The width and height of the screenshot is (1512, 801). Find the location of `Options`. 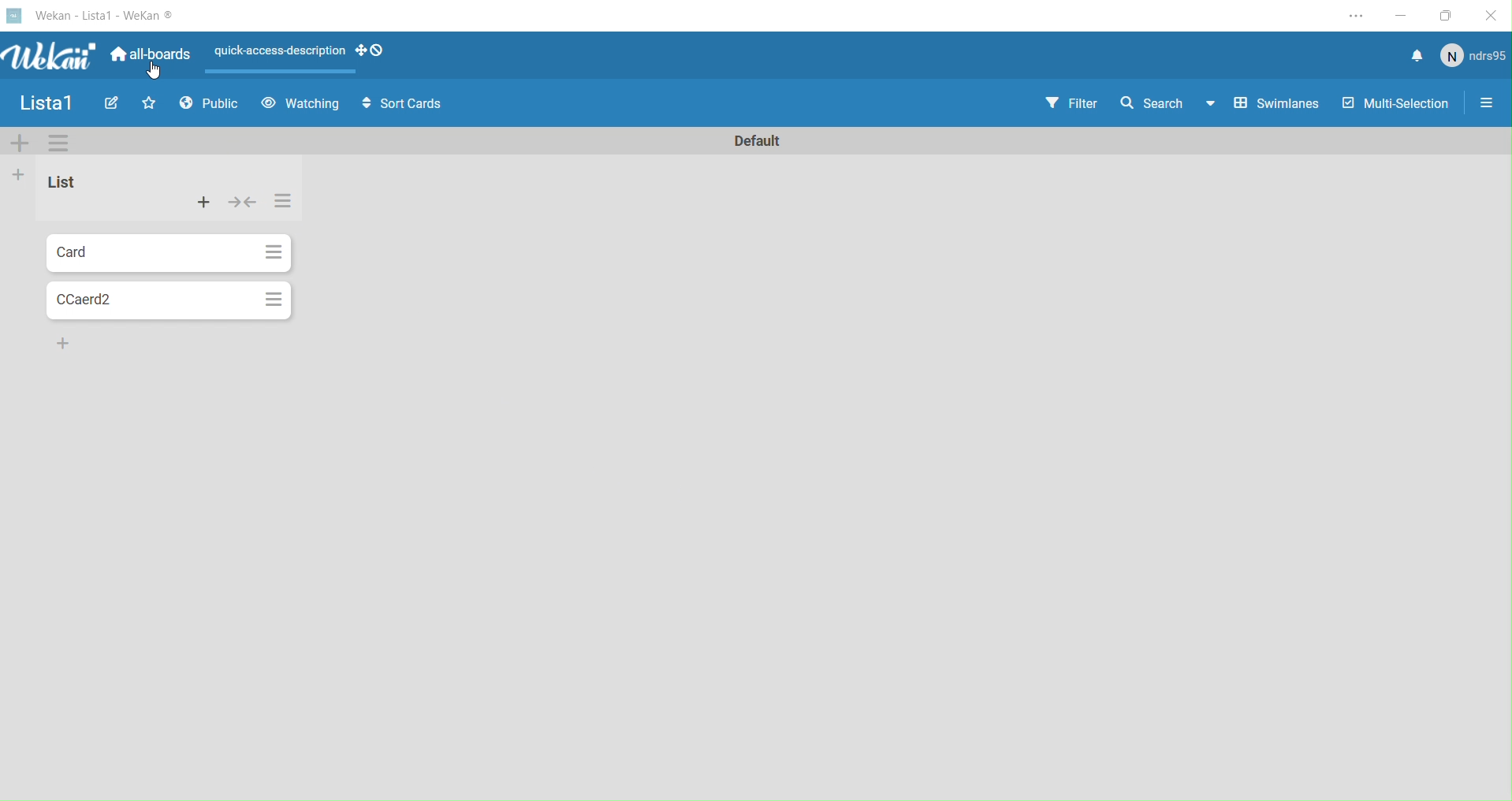

Options is located at coordinates (272, 299).